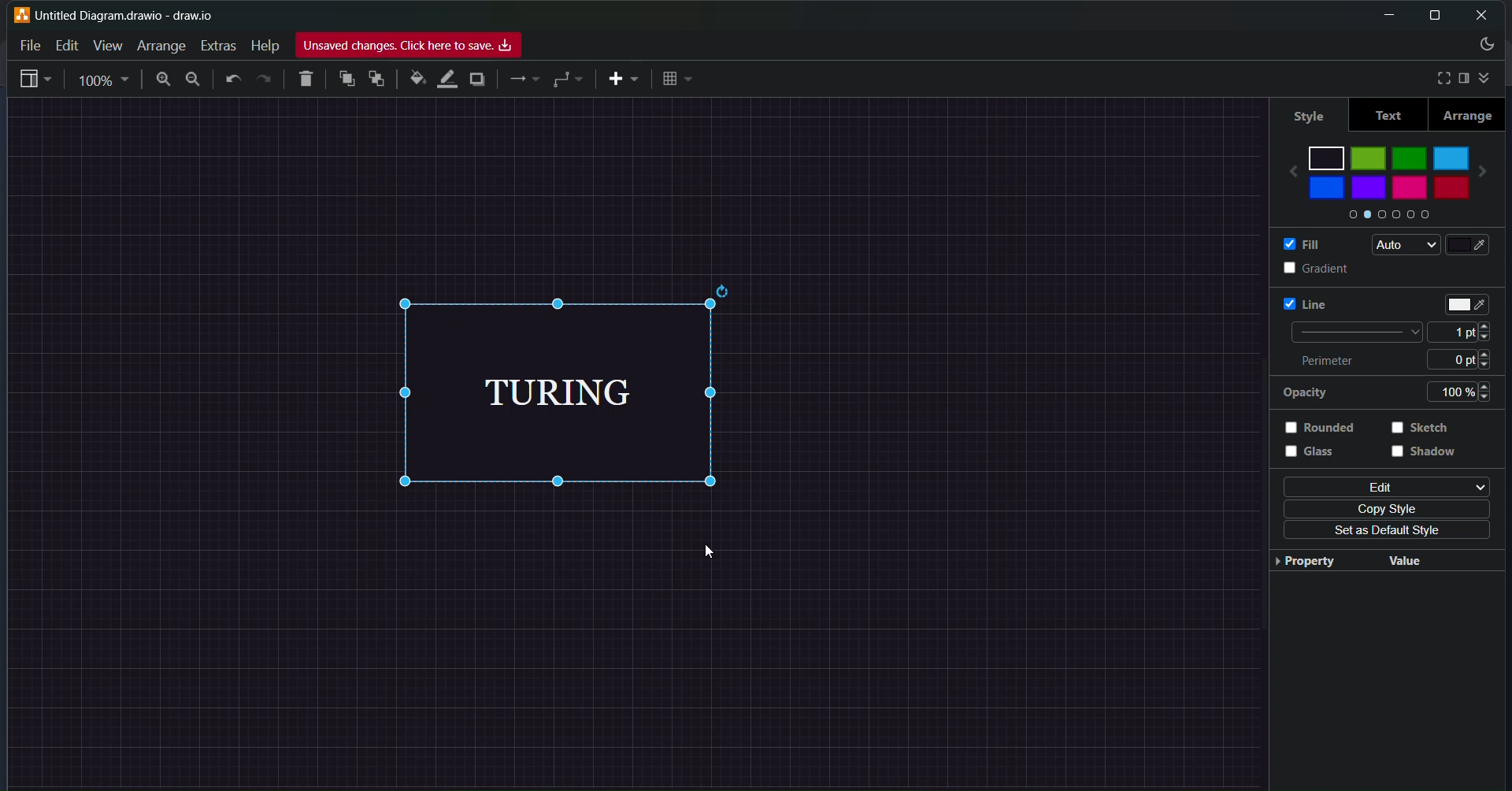  What do you see at coordinates (377, 80) in the screenshot?
I see `to back` at bounding box center [377, 80].